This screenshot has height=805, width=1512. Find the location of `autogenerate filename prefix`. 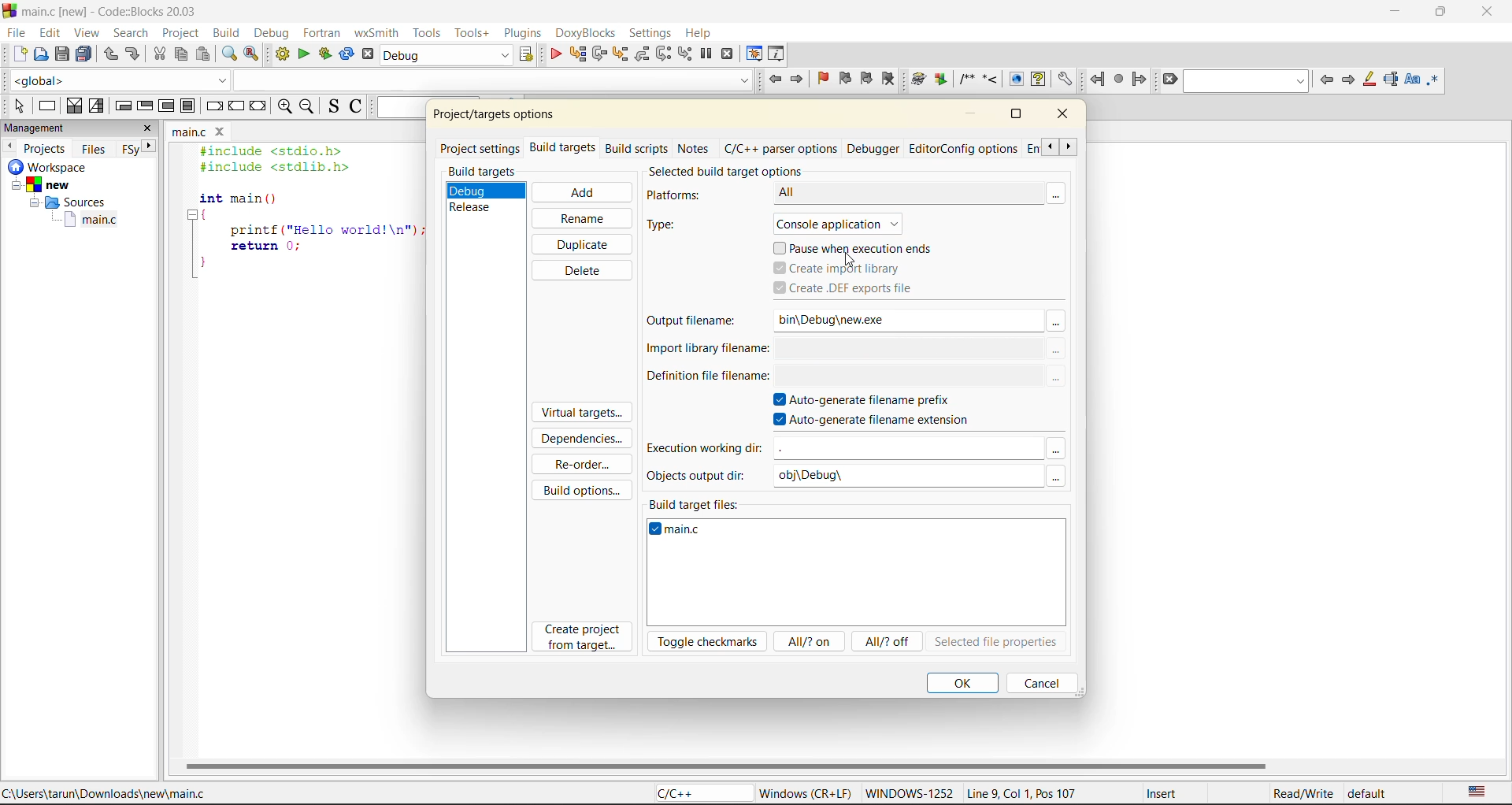

autogenerate filename prefix is located at coordinates (872, 401).